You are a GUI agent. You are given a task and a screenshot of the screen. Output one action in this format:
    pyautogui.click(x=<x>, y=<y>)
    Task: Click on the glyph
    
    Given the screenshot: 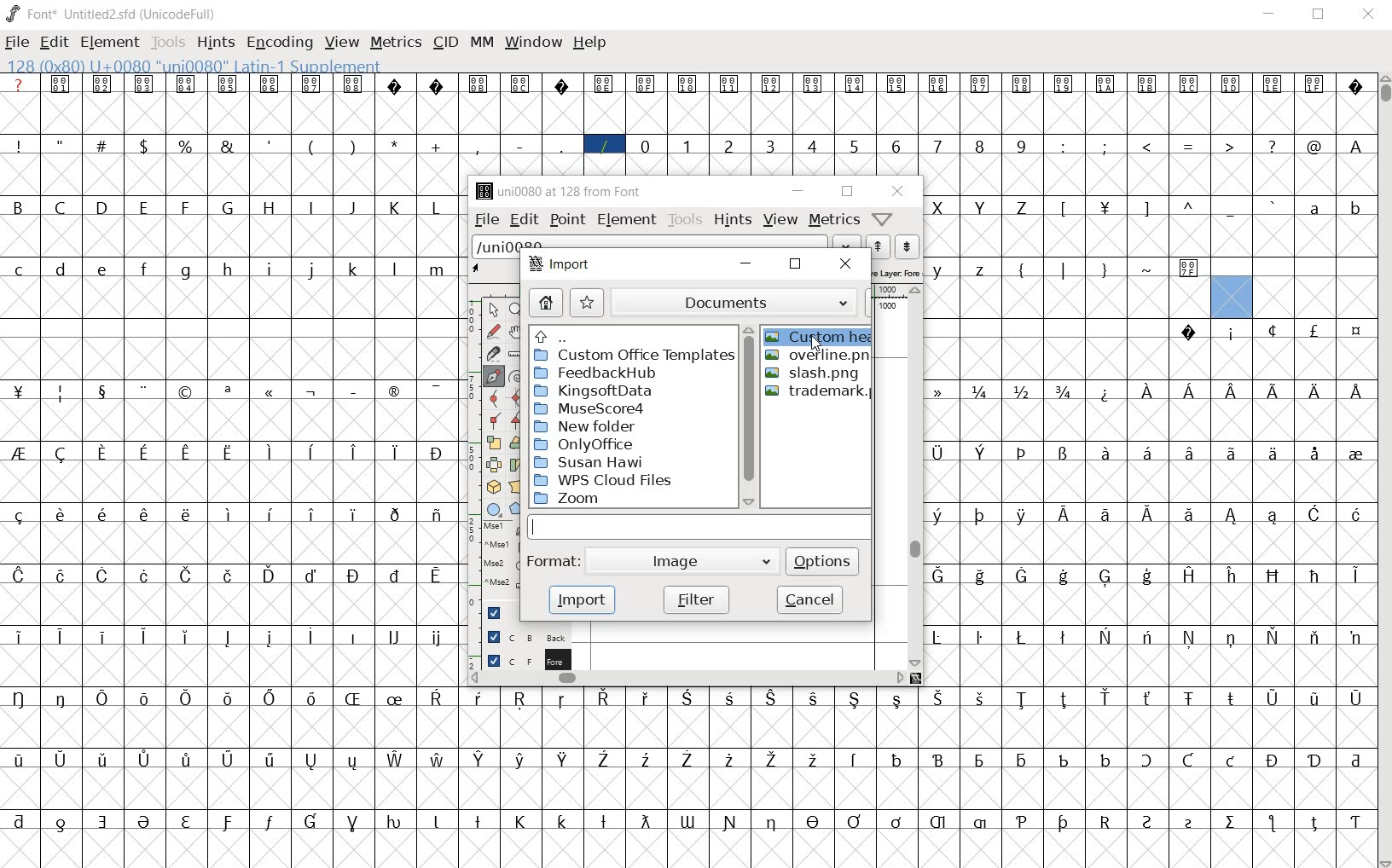 What is the action you would take?
    pyautogui.click(x=144, y=84)
    